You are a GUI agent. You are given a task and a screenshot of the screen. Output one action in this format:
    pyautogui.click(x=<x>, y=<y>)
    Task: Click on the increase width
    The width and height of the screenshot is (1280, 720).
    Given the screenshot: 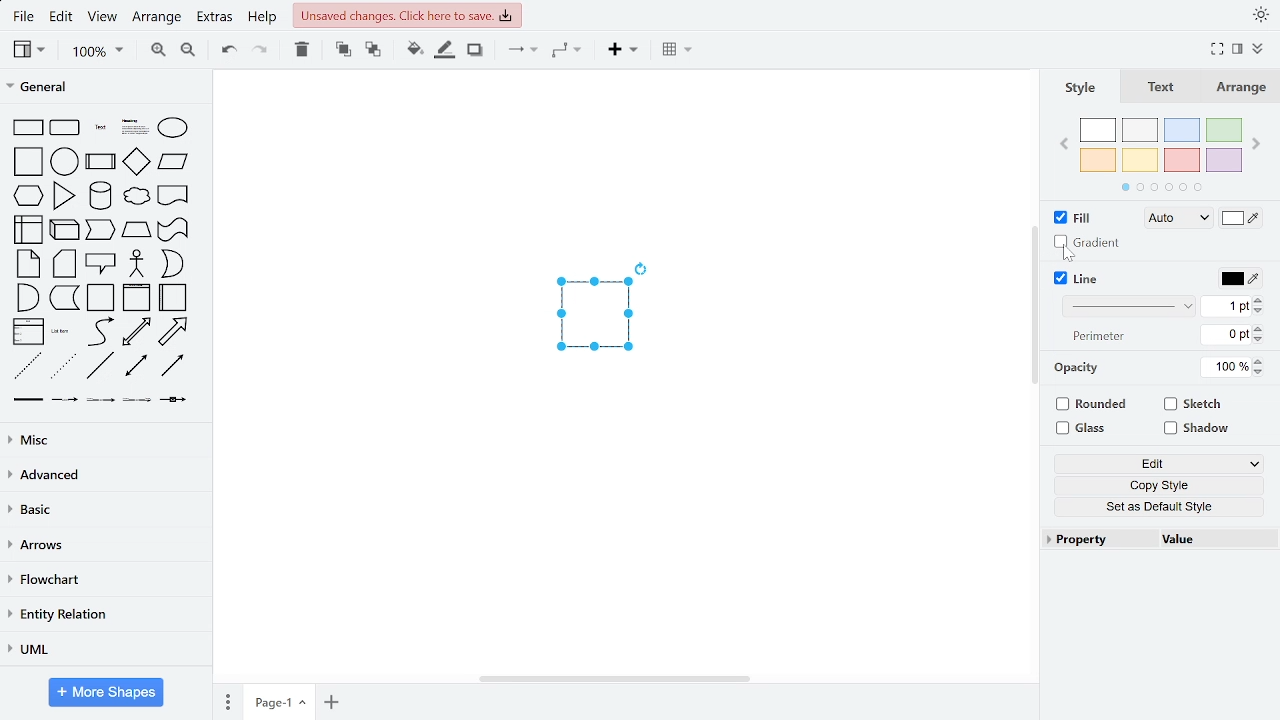 What is the action you would take?
    pyautogui.click(x=1261, y=329)
    